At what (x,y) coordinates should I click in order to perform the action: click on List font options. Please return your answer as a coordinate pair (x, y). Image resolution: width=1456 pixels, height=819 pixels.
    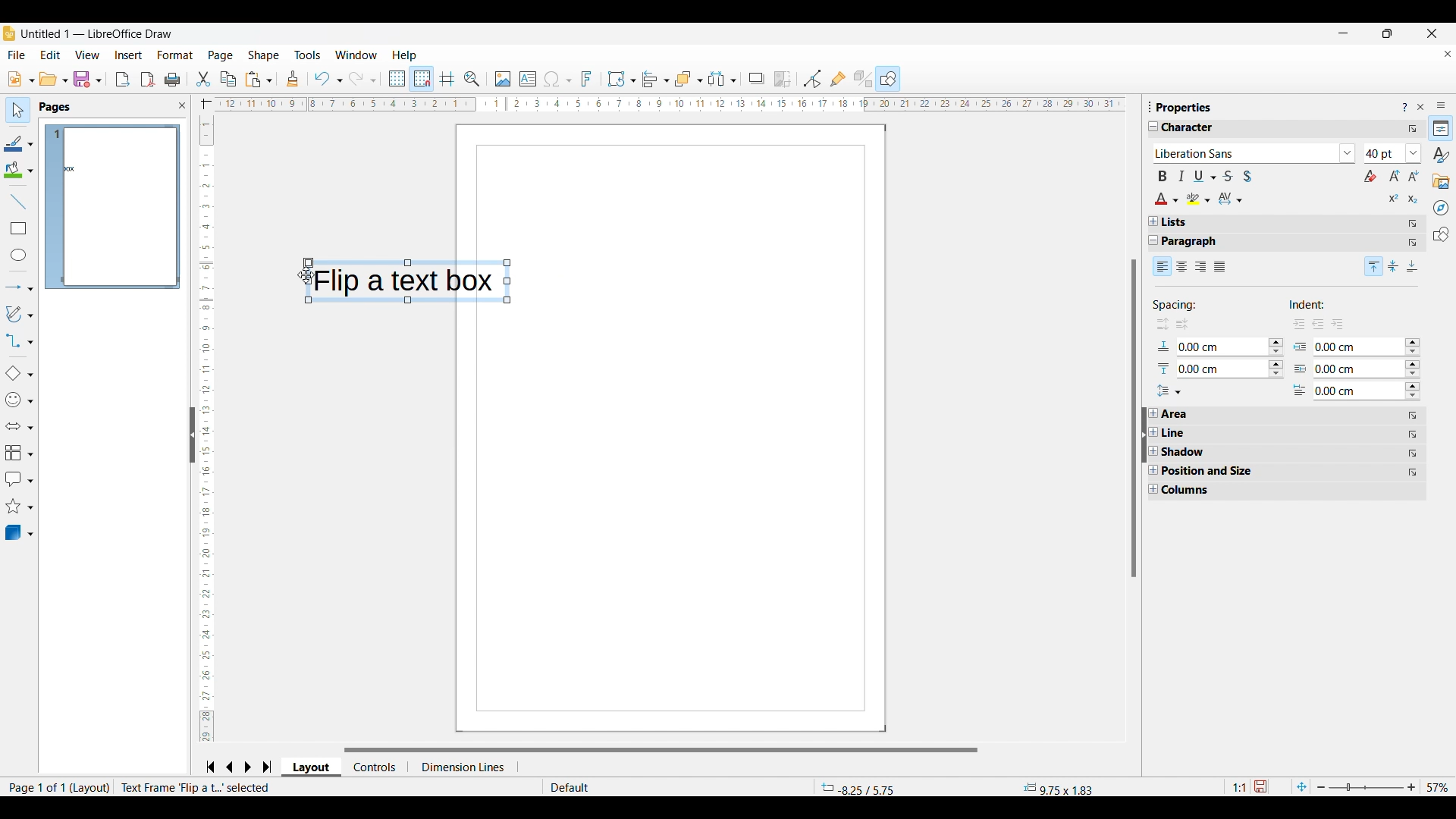
    Looking at the image, I should click on (1348, 153).